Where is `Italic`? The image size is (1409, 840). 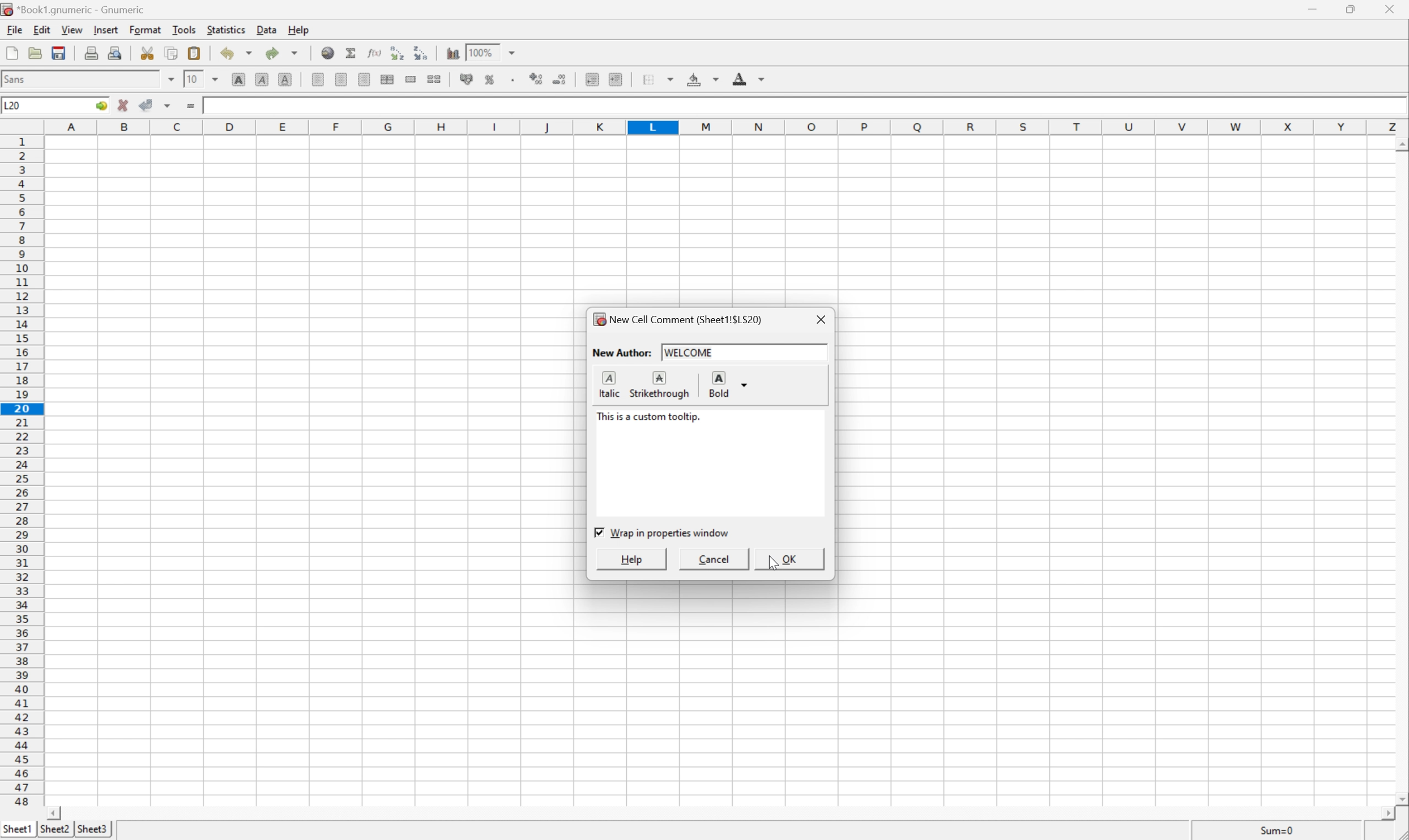 Italic is located at coordinates (609, 383).